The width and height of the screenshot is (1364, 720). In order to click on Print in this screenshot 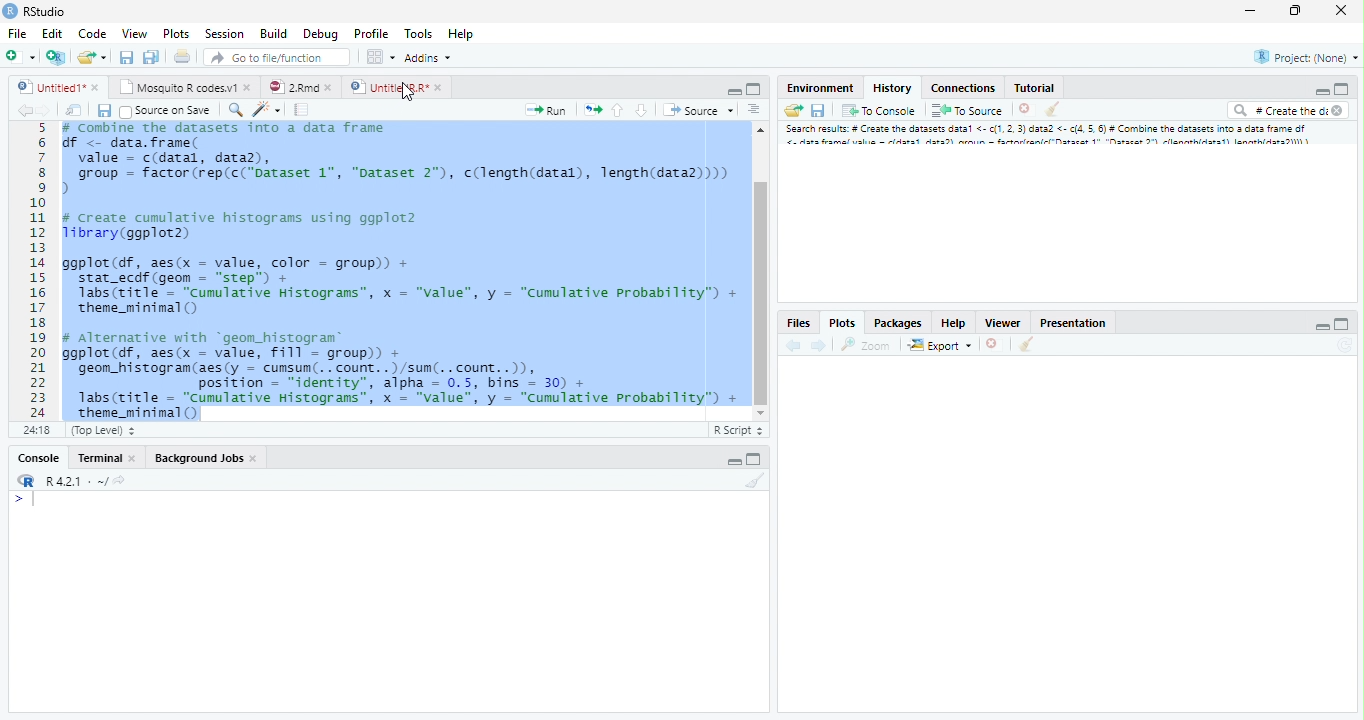, I will do `click(185, 57)`.